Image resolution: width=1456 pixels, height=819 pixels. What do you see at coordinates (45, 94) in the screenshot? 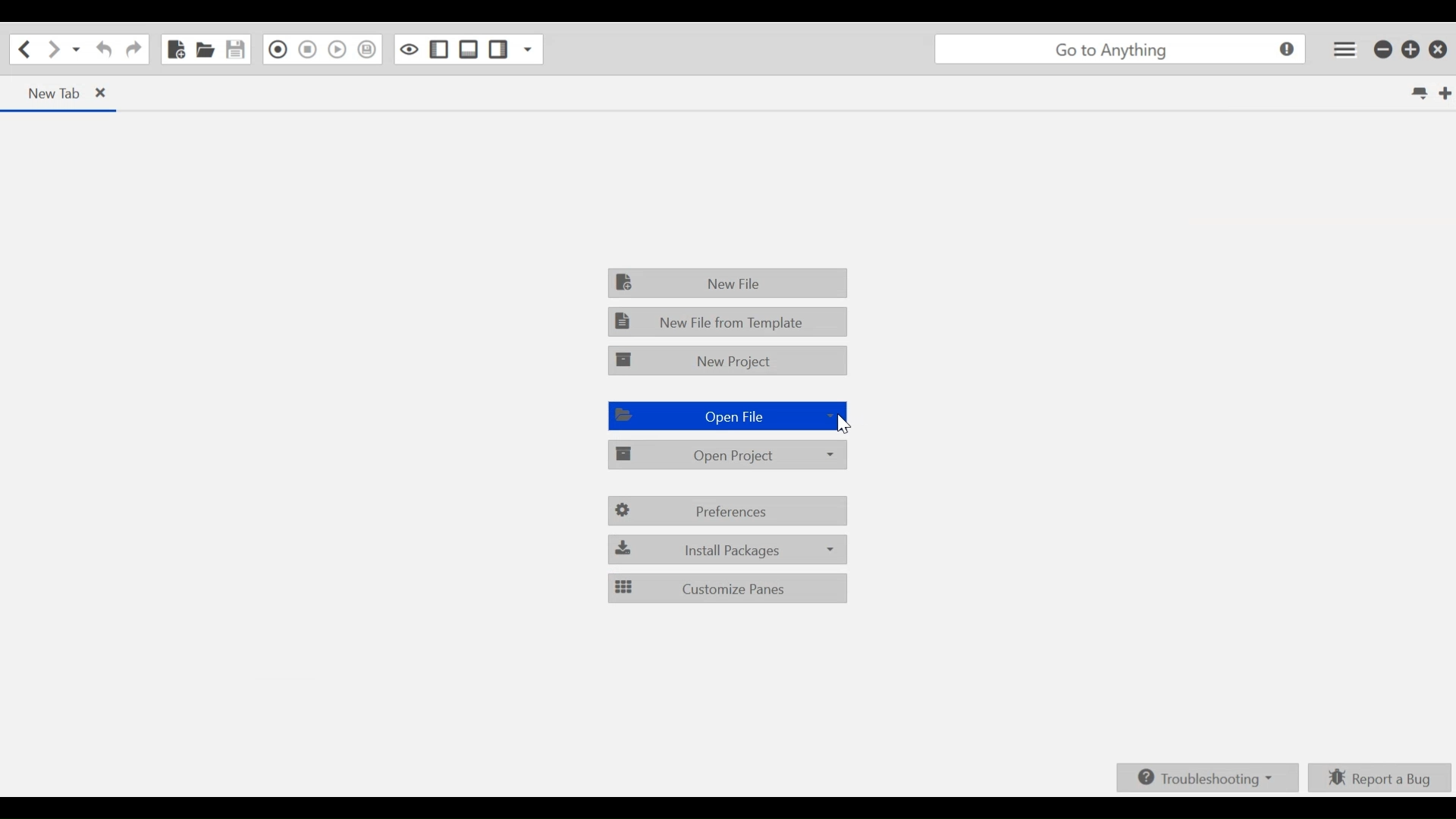
I see `new tab` at bounding box center [45, 94].